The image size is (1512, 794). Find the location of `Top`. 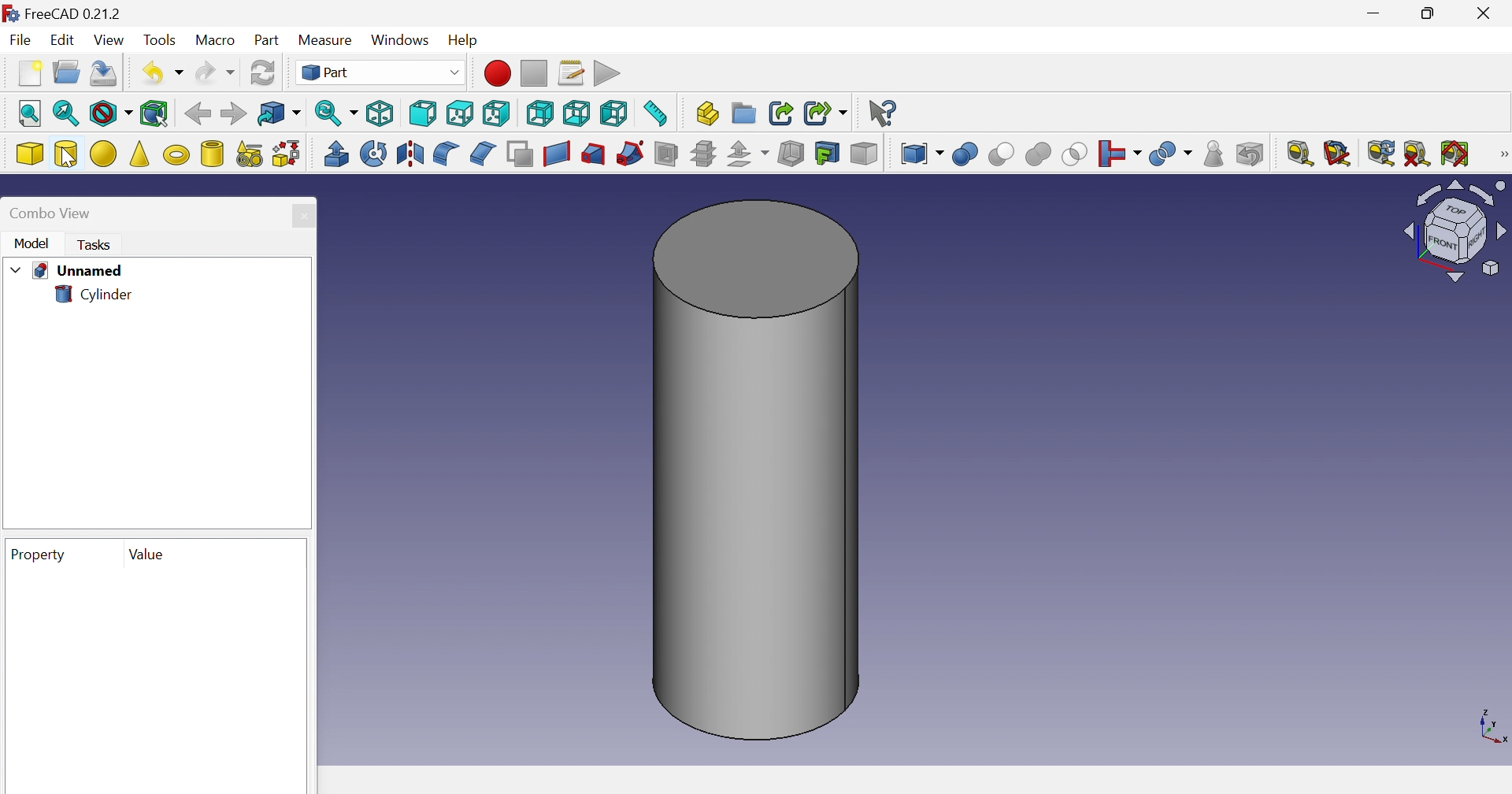

Top is located at coordinates (461, 113).